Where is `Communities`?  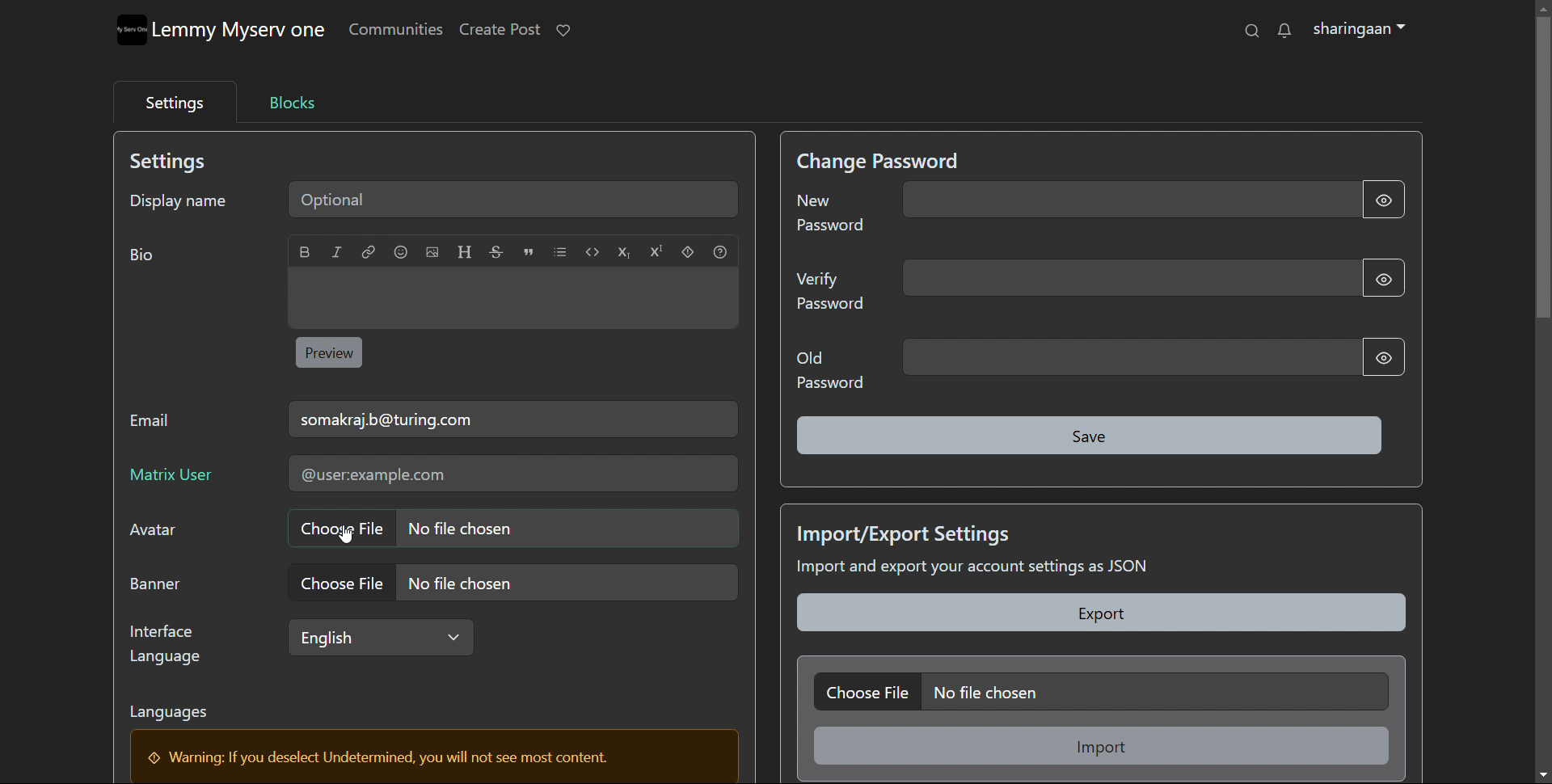
Communities is located at coordinates (396, 32).